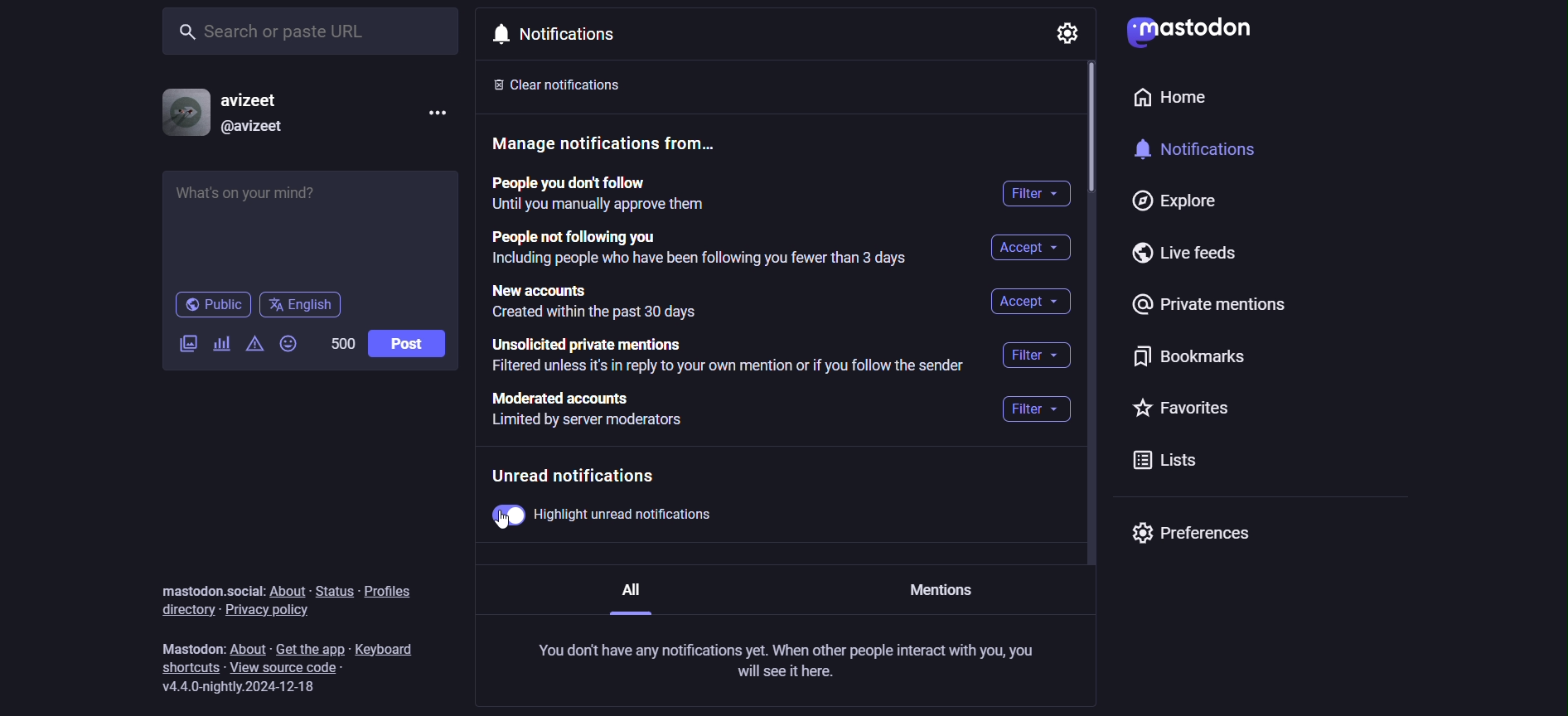 This screenshot has height=716, width=1568. I want to click on search, so click(314, 30).